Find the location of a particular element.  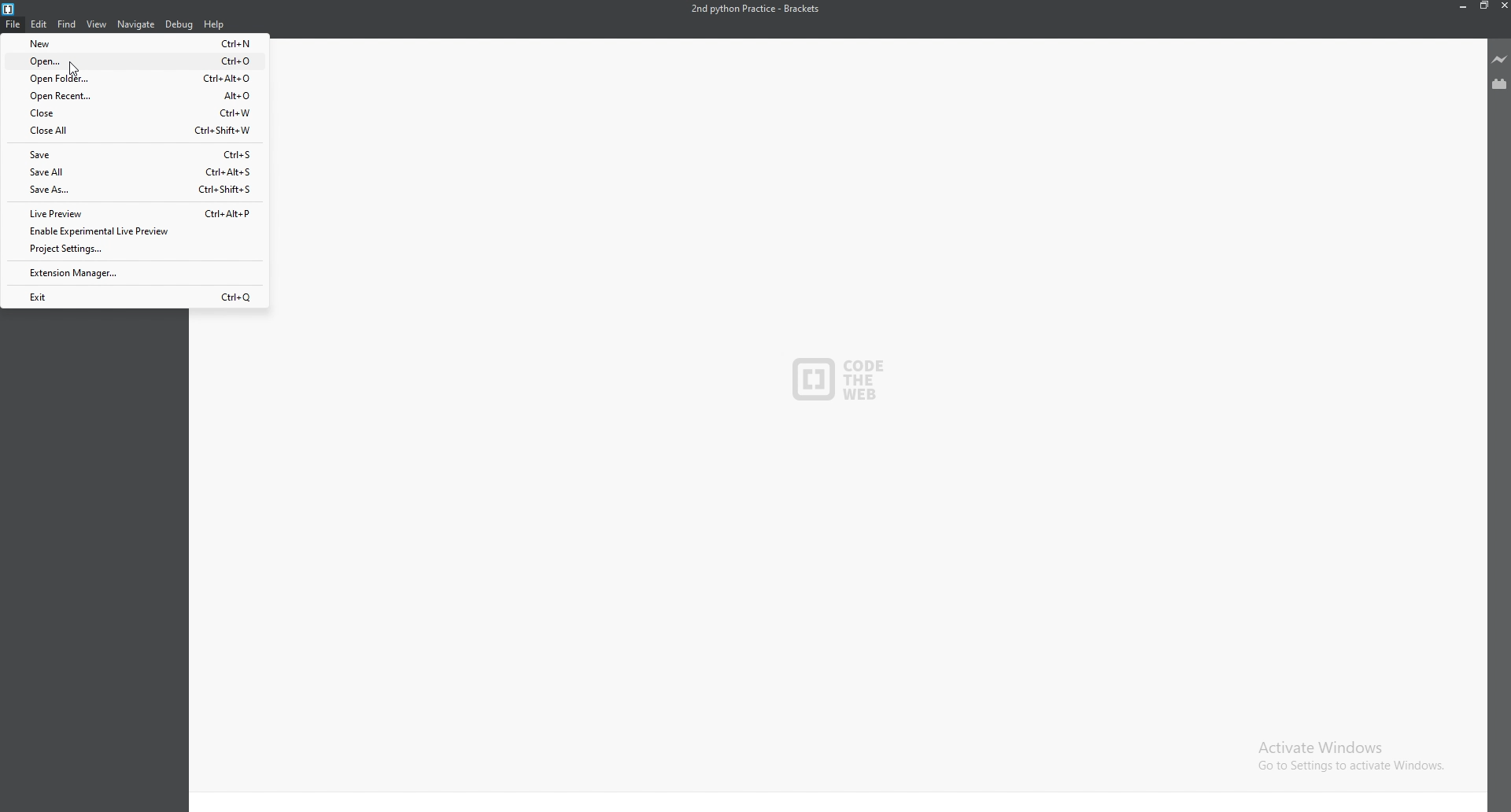

enable experimental live preview is located at coordinates (131, 231).